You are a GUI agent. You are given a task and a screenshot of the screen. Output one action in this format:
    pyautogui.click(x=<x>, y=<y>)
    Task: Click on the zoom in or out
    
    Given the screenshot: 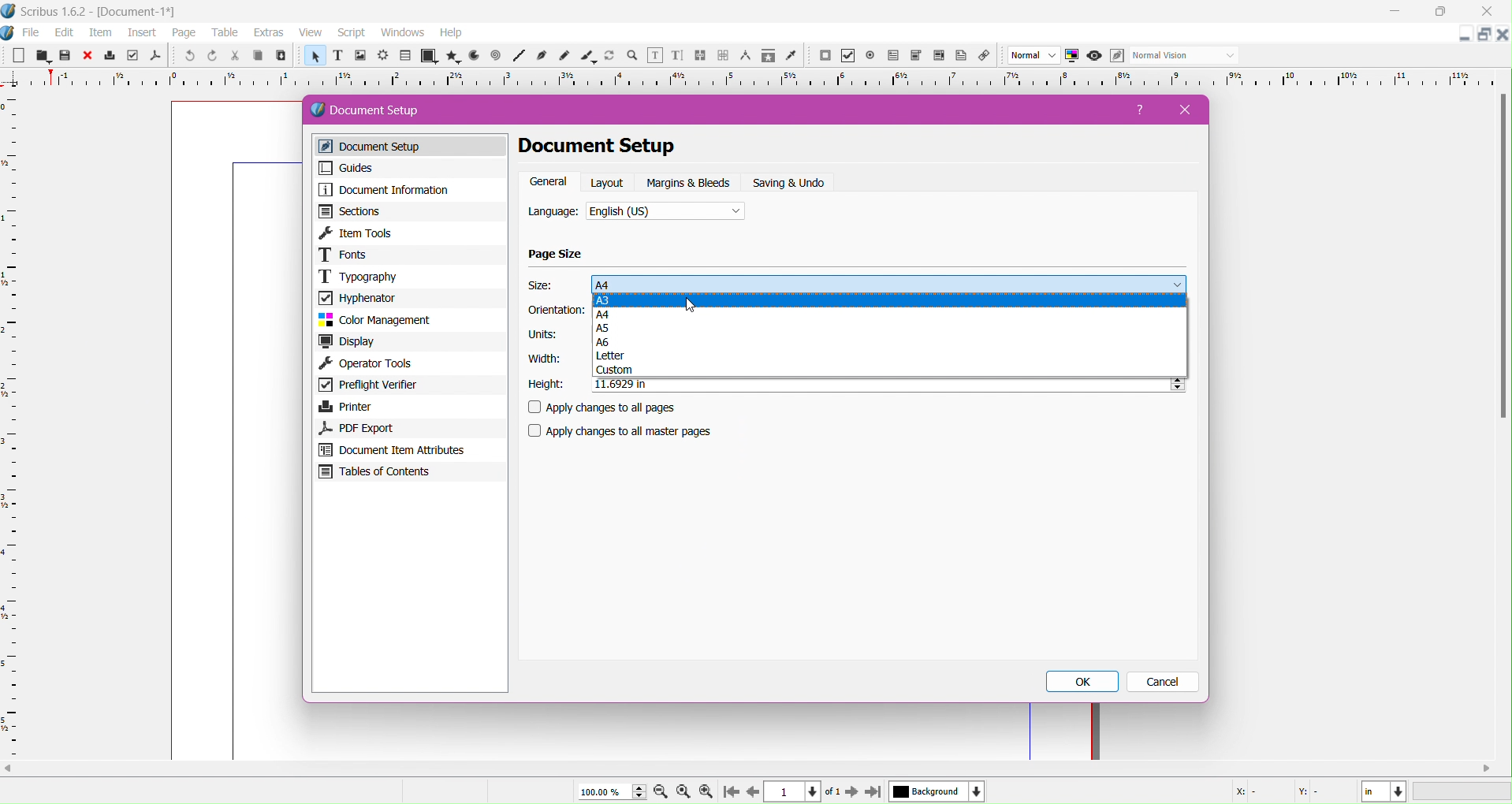 What is the action you would take?
    pyautogui.click(x=634, y=57)
    